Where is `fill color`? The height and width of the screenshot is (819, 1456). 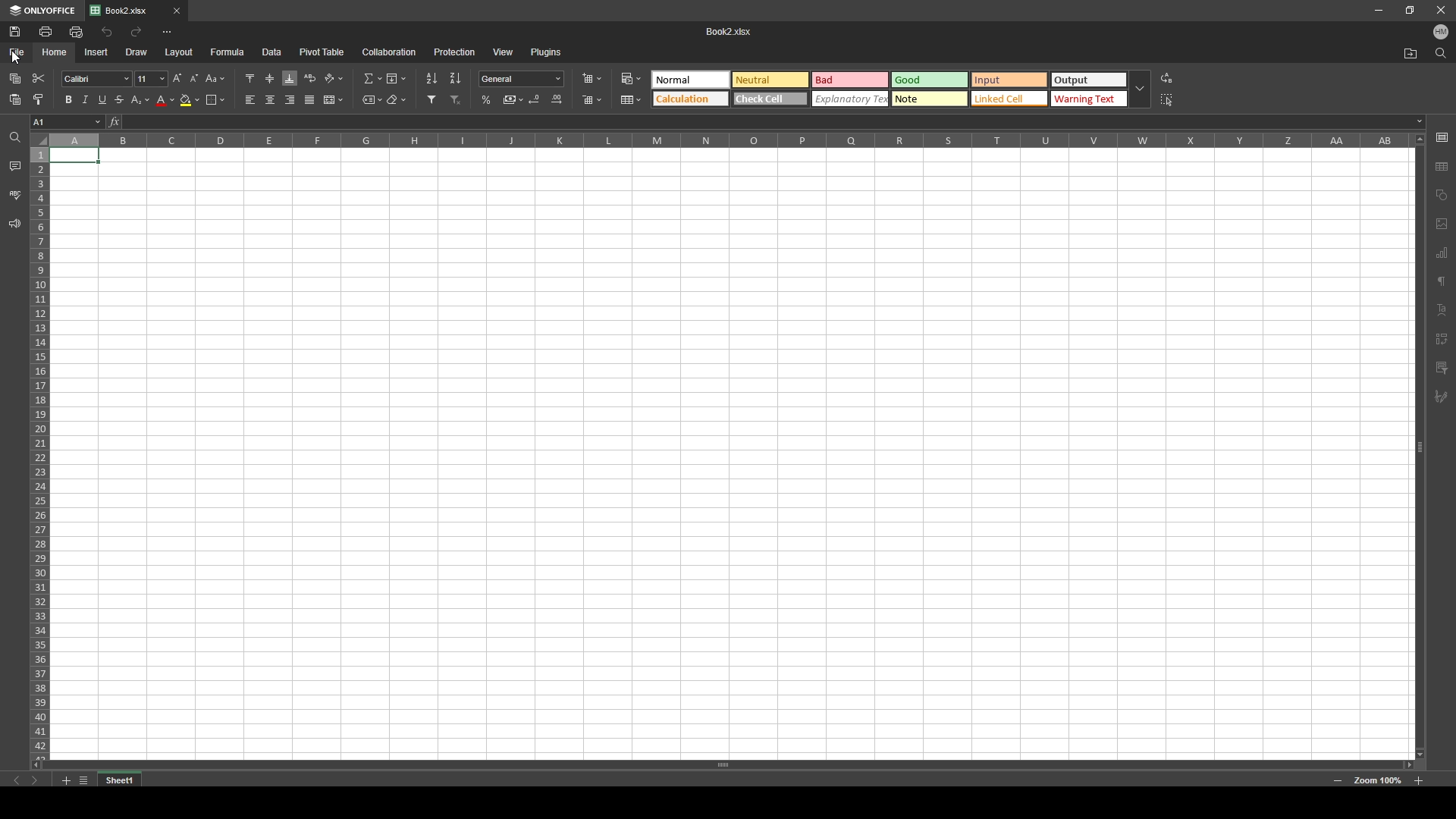 fill color is located at coordinates (191, 100).